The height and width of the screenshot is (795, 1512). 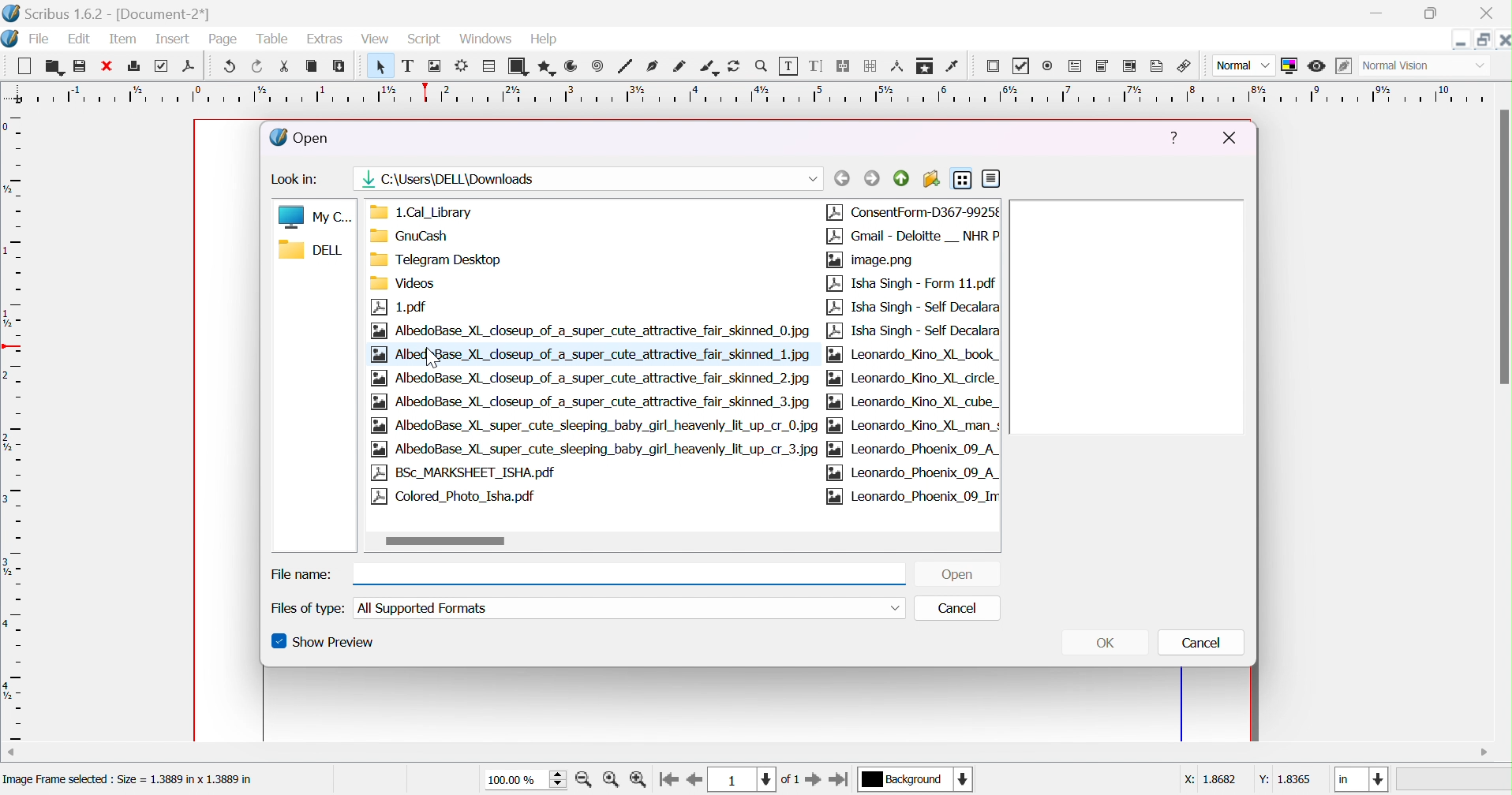 What do you see at coordinates (812, 779) in the screenshot?
I see `go to next page` at bounding box center [812, 779].